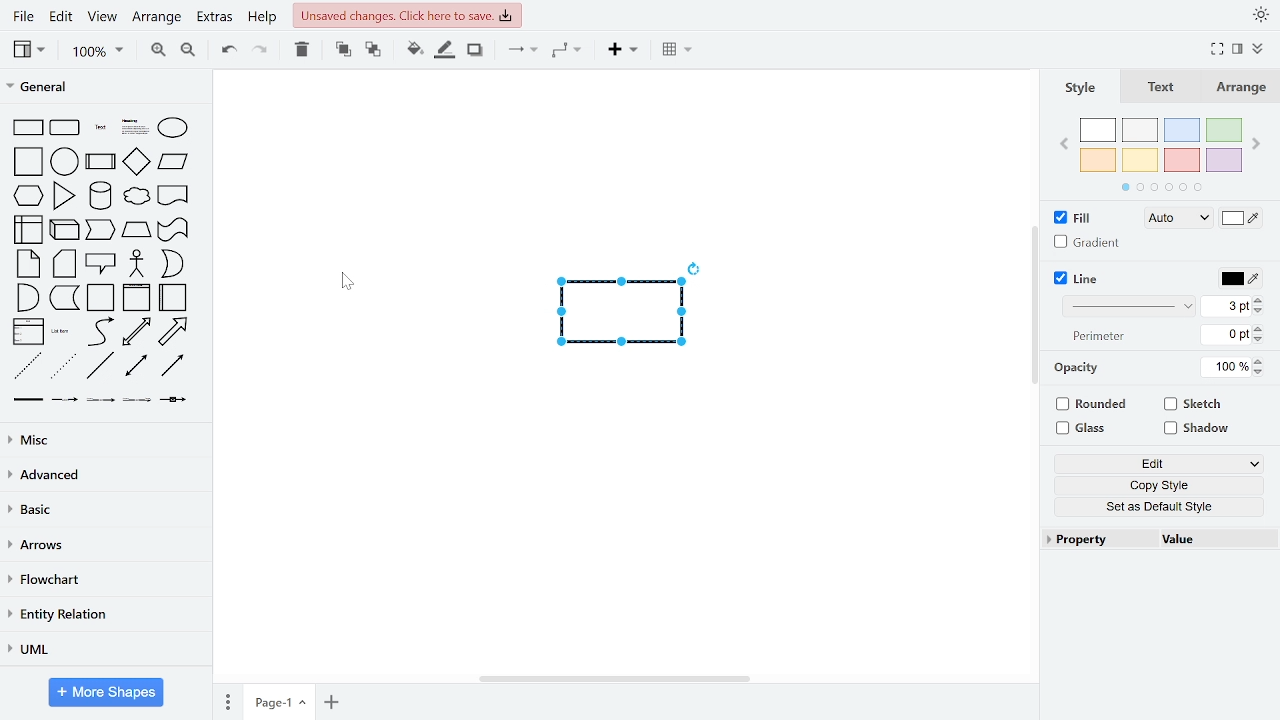 The height and width of the screenshot is (720, 1280). What do you see at coordinates (61, 159) in the screenshot?
I see `general shapes` at bounding box center [61, 159].